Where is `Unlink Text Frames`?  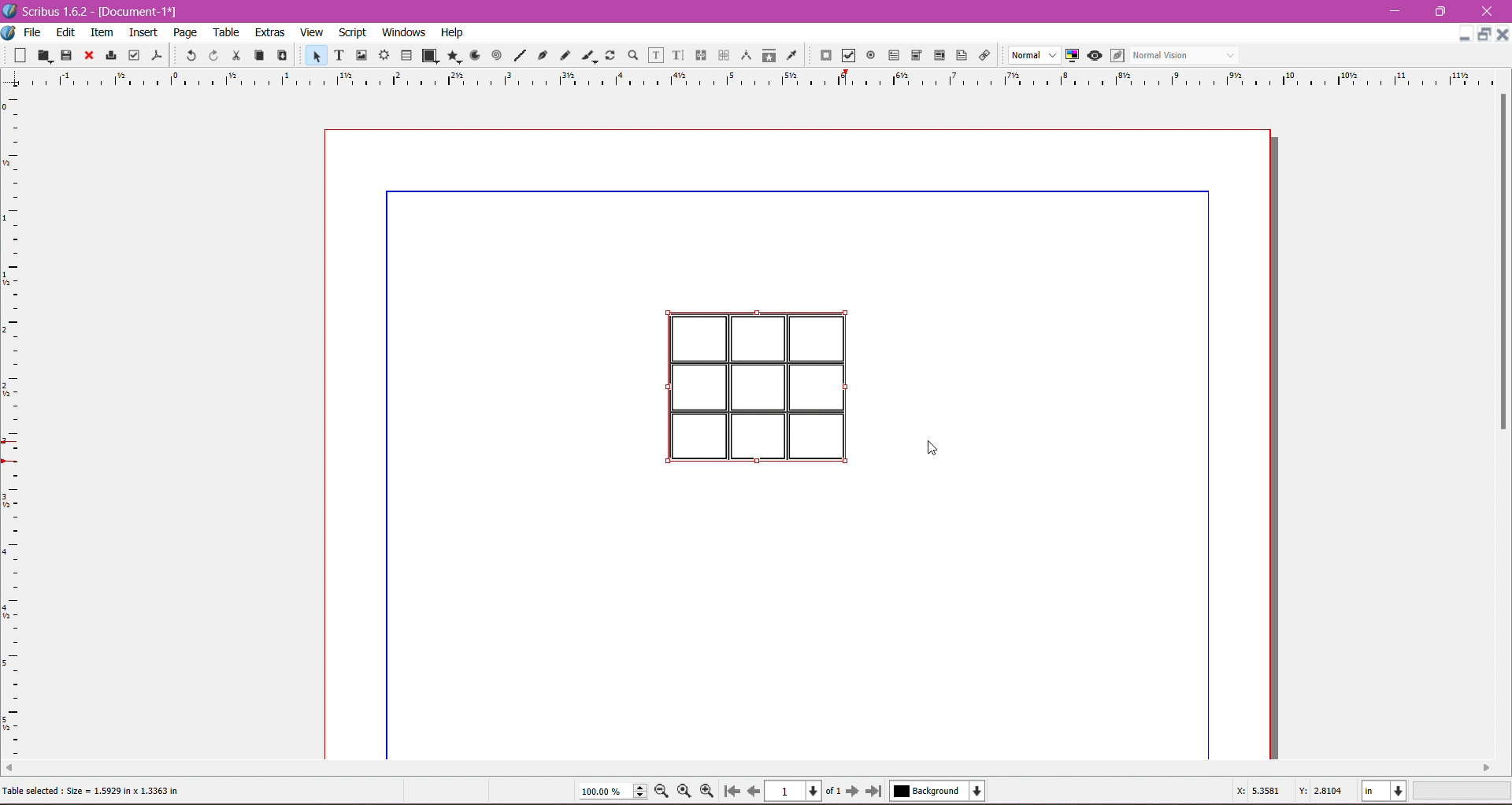
Unlink Text Frames is located at coordinates (722, 57).